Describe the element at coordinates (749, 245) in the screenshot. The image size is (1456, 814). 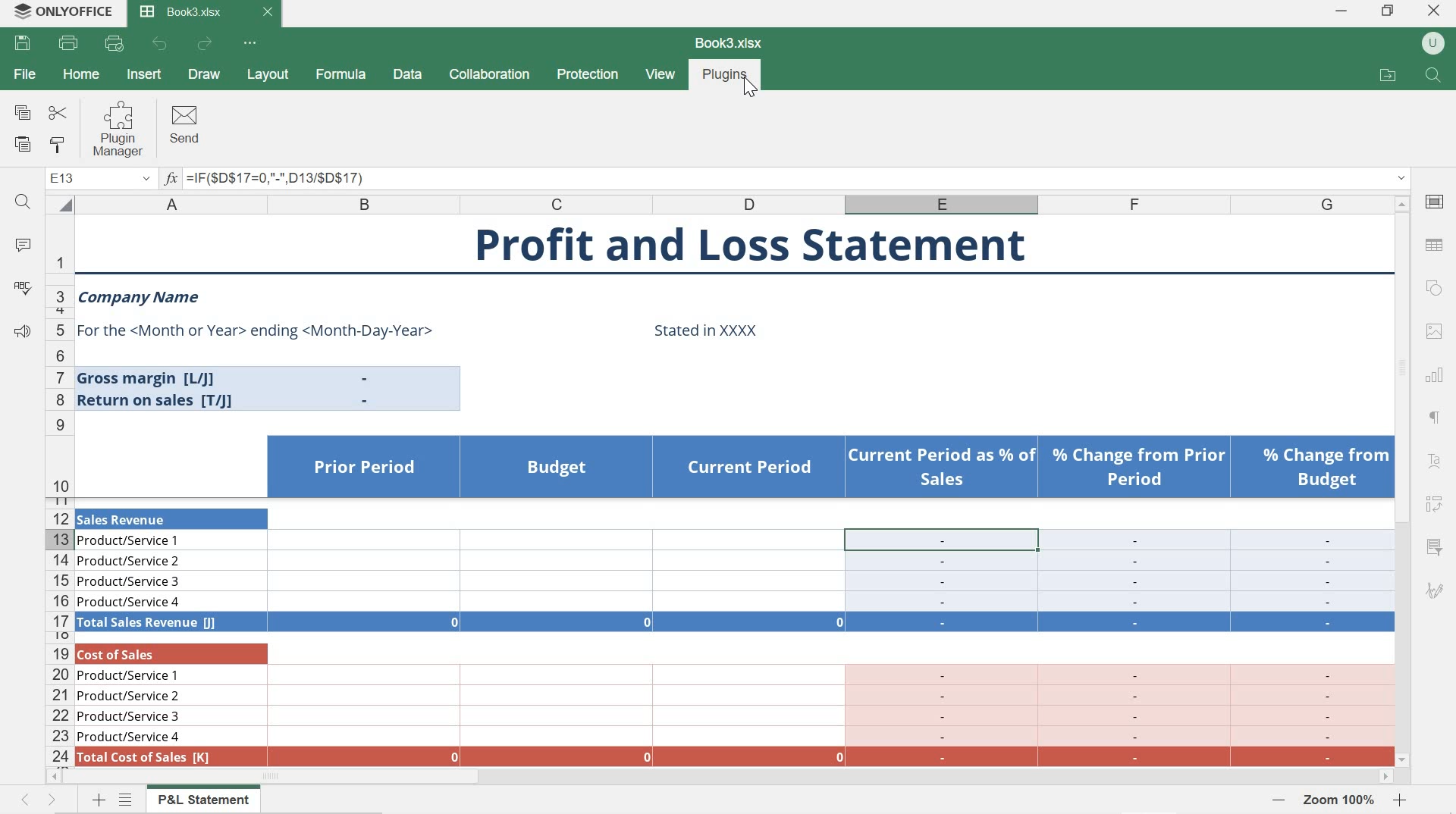
I see `Profit and Loss Statement` at that location.